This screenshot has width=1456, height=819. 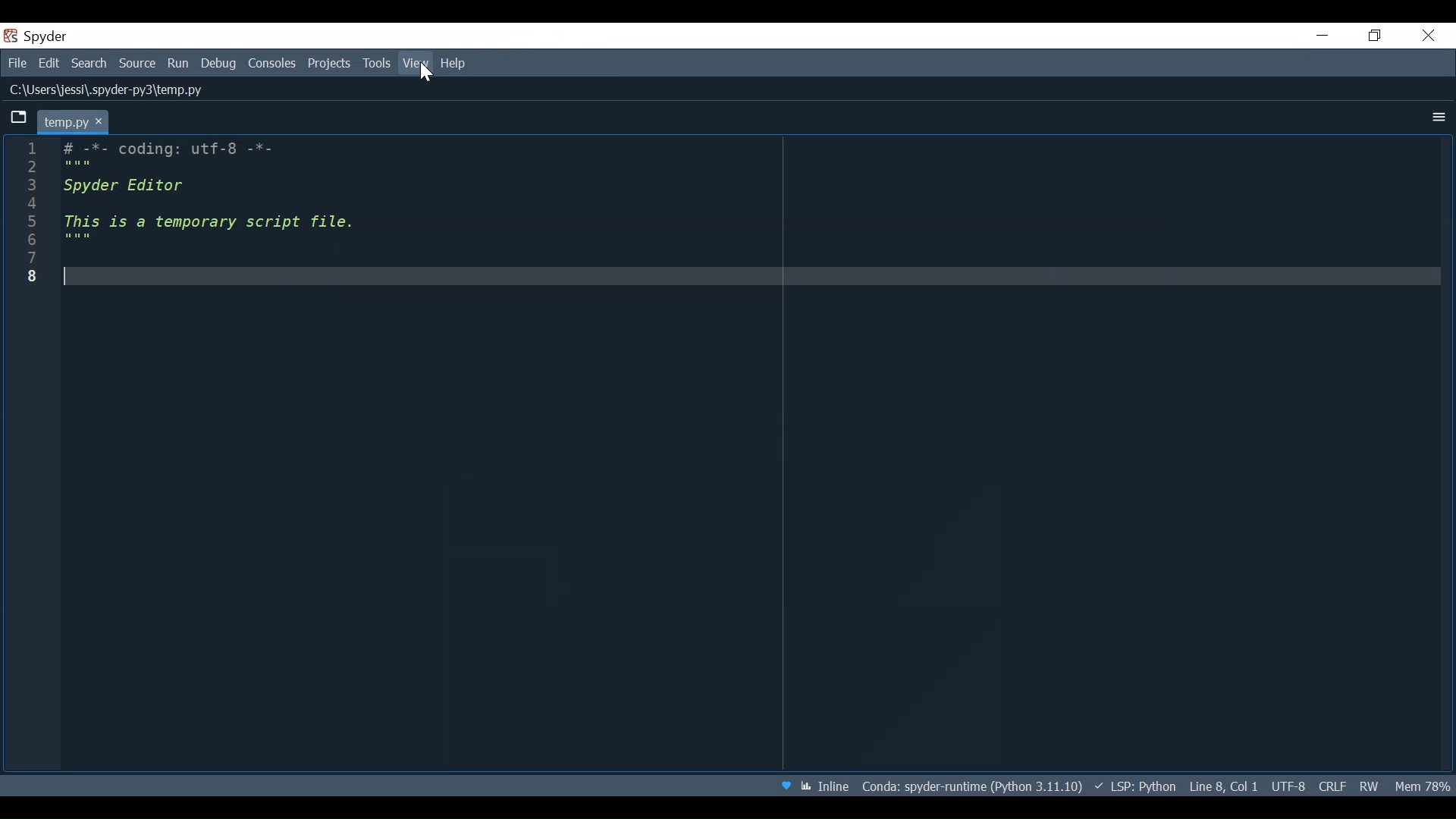 I want to click on View, so click(x=416, y=64).